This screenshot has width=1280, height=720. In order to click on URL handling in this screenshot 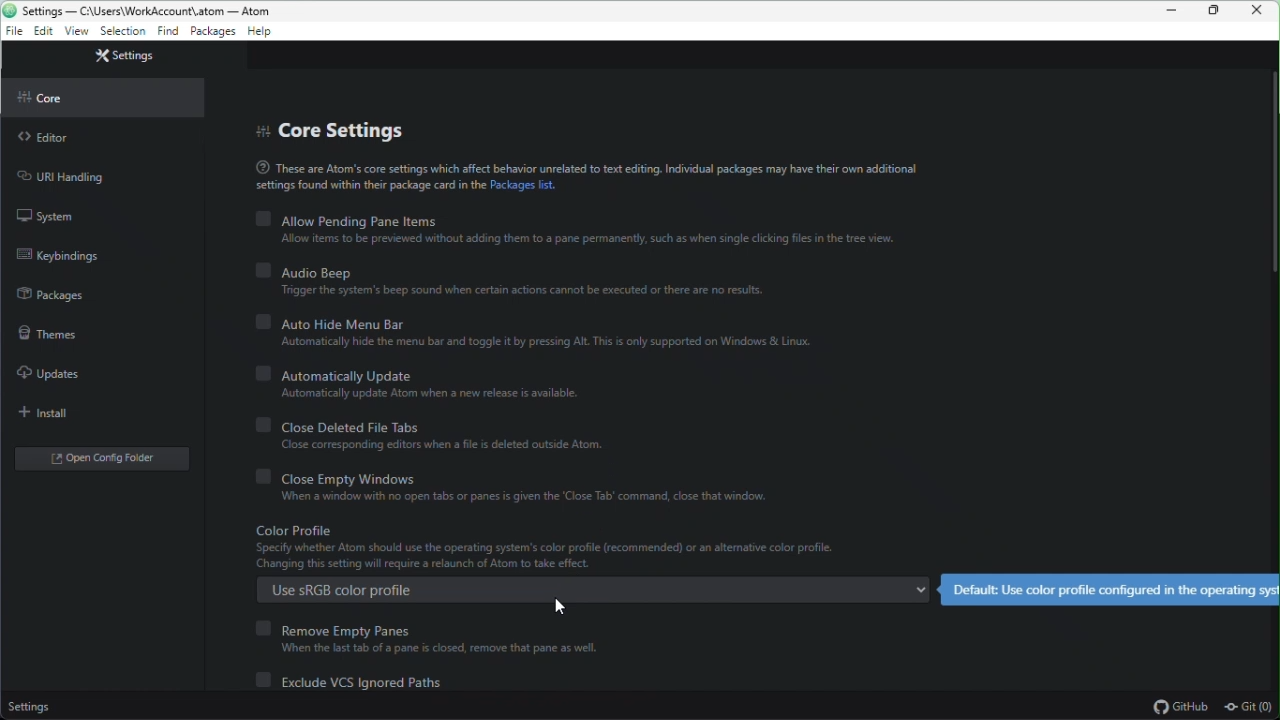, I will do `click(72, 177)`.